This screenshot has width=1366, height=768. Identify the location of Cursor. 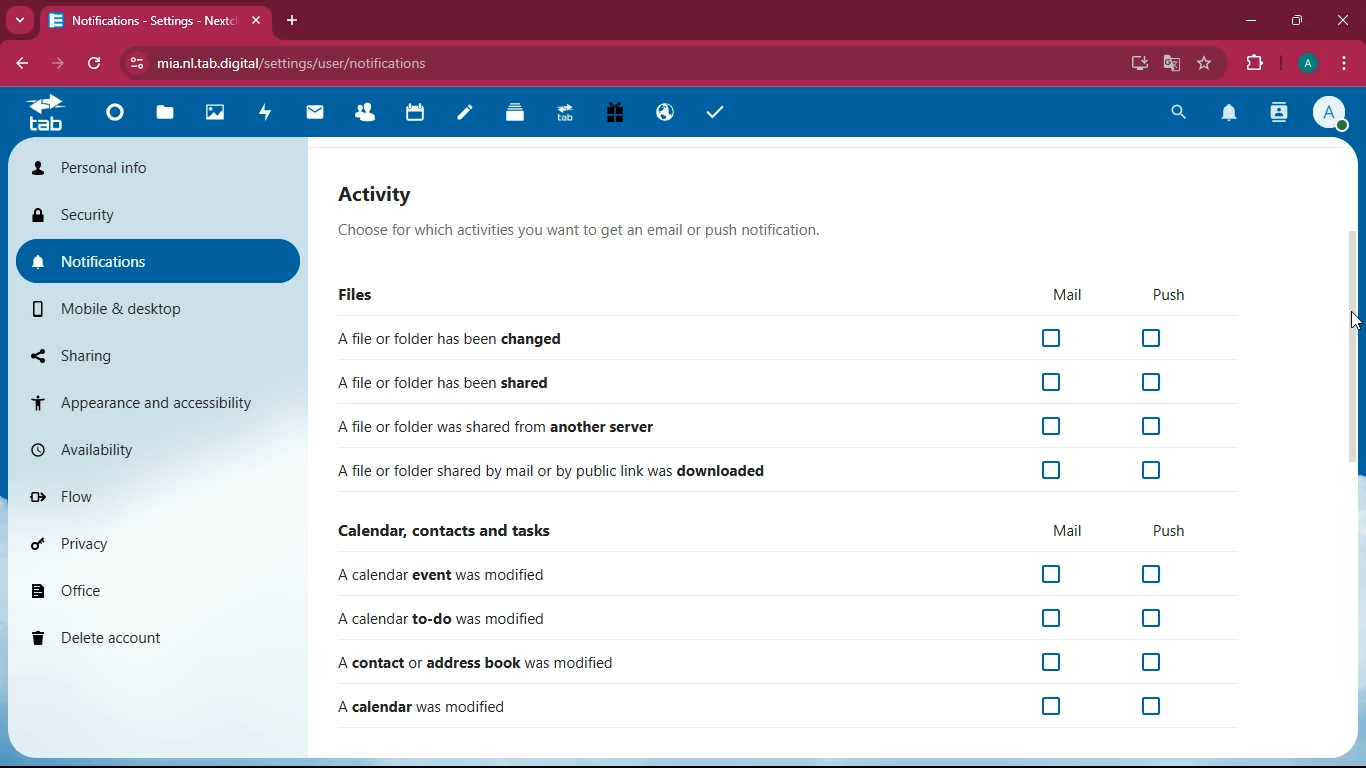
(1355, 319).